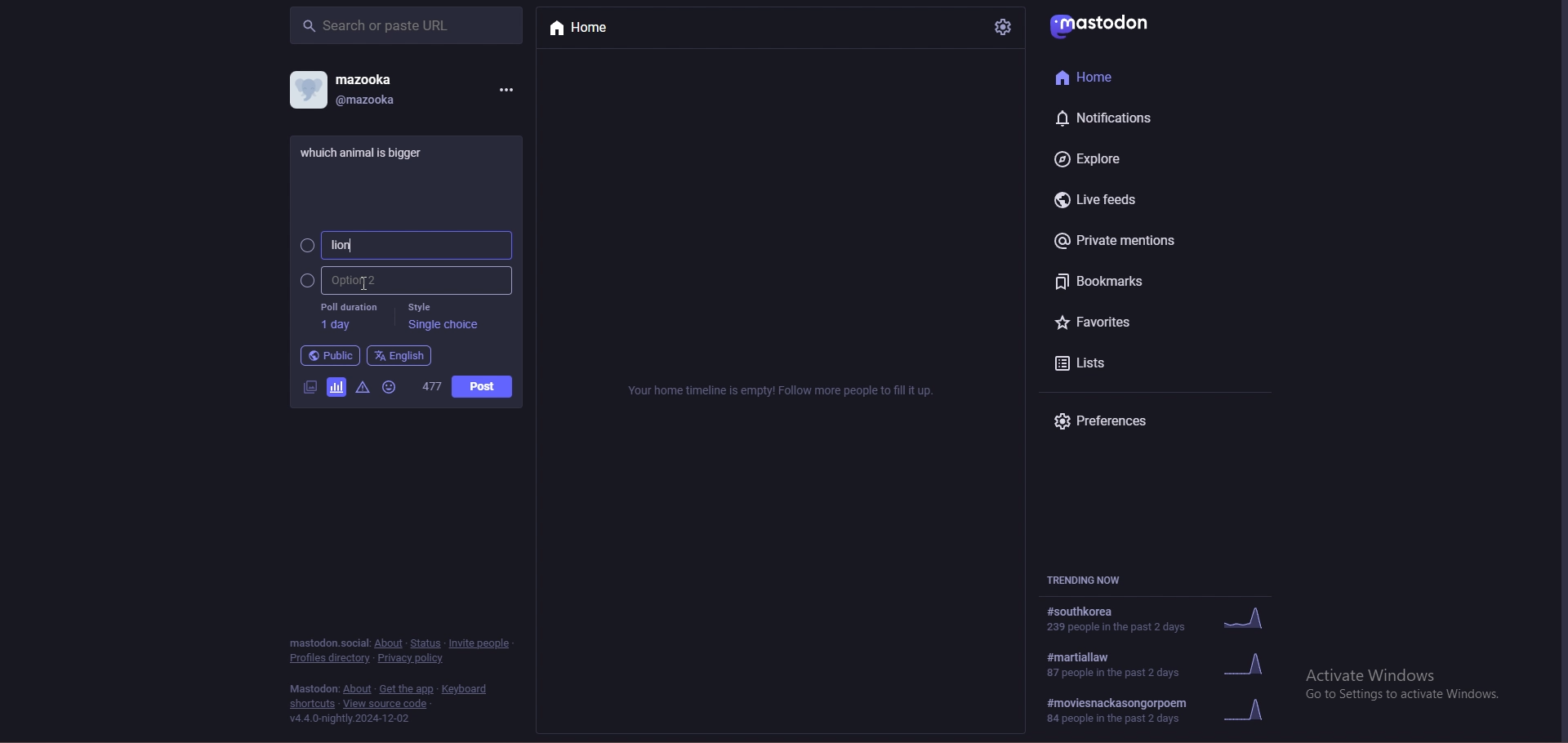  Describe the element at coordinates (1097, 581) in the screenshot. I see `trending now` at that location.